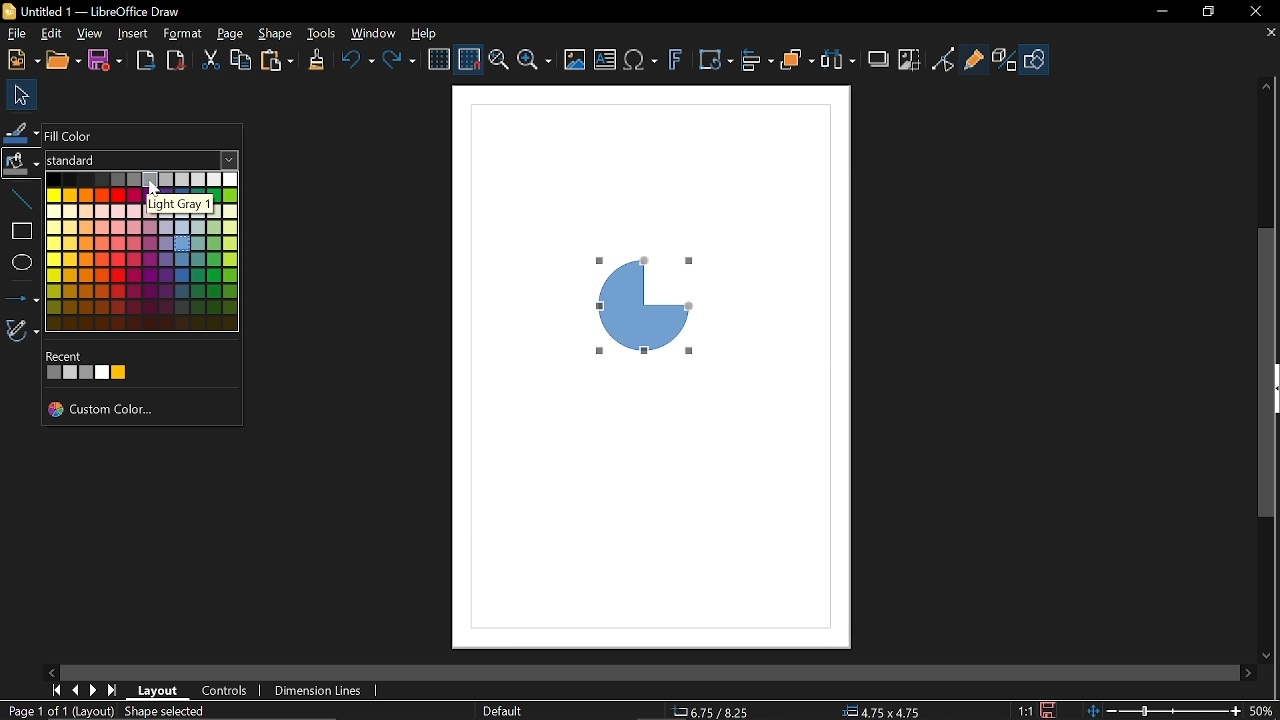 The image size is (1280, 720). I want to click on Arrange, so click(798, 62).